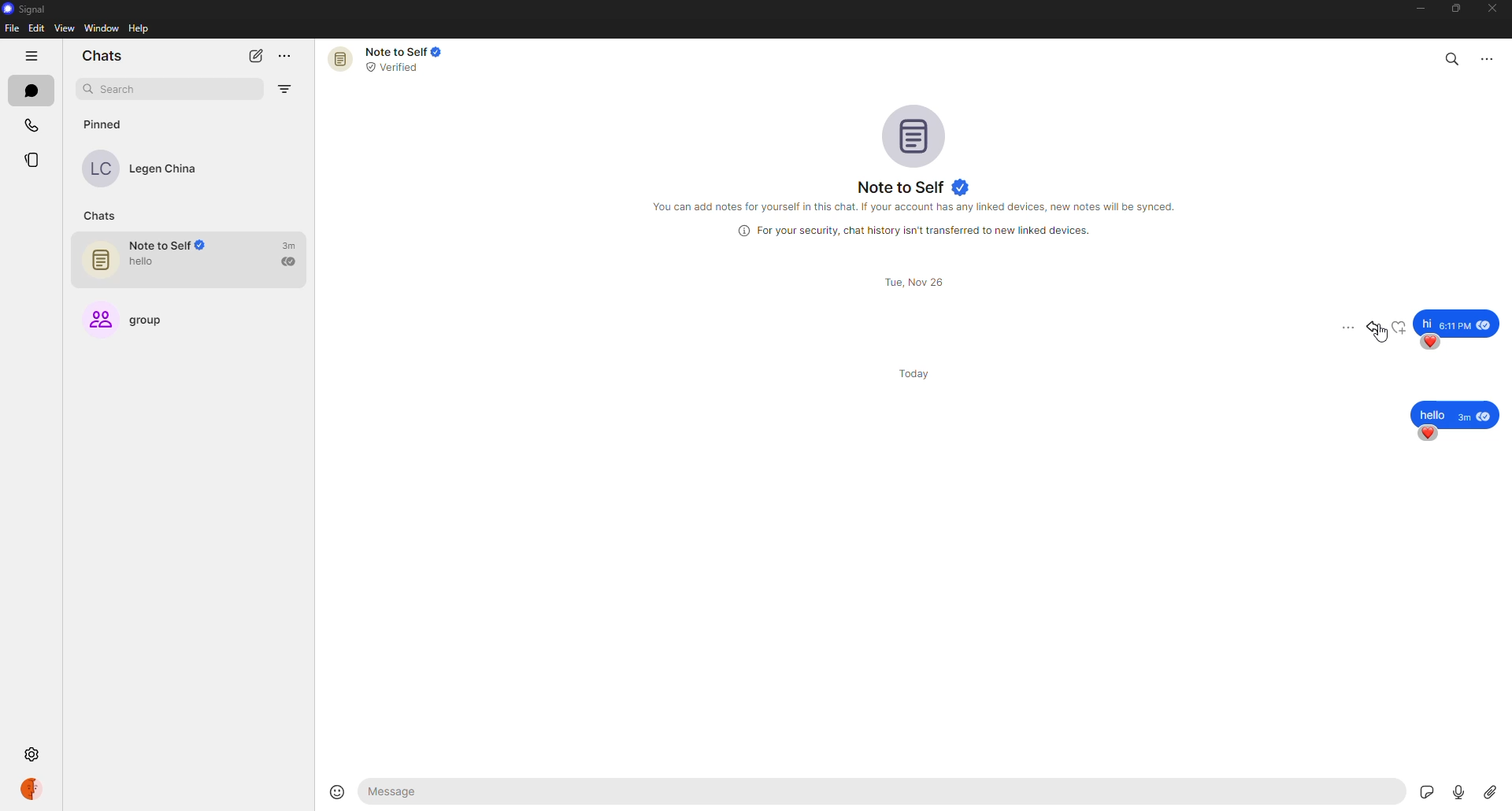 The image size is (1512, 811). I want to click on info, so click(914, 229).